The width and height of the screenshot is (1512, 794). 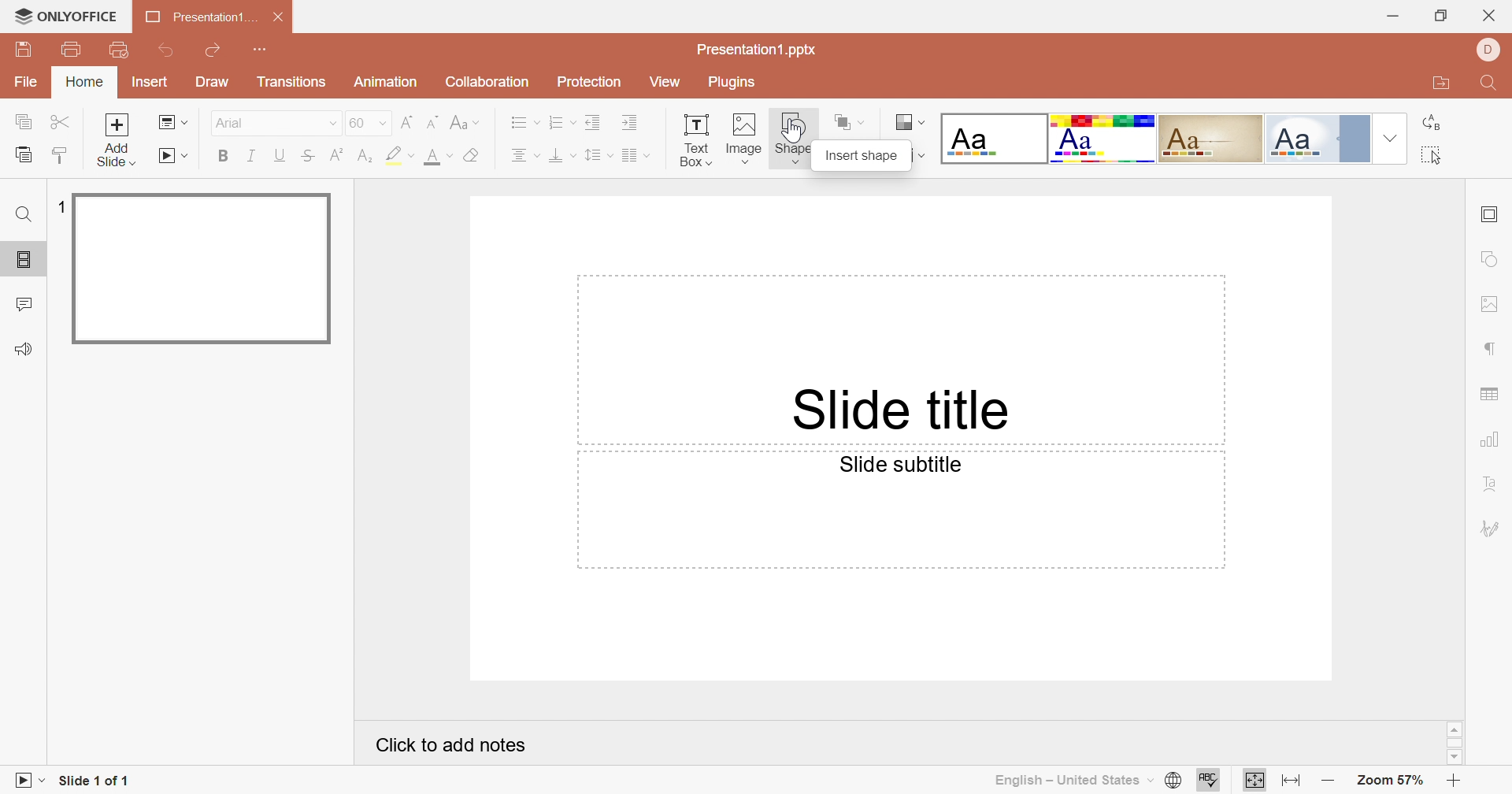 I want to click on Blank, so click(x=992, y=137).